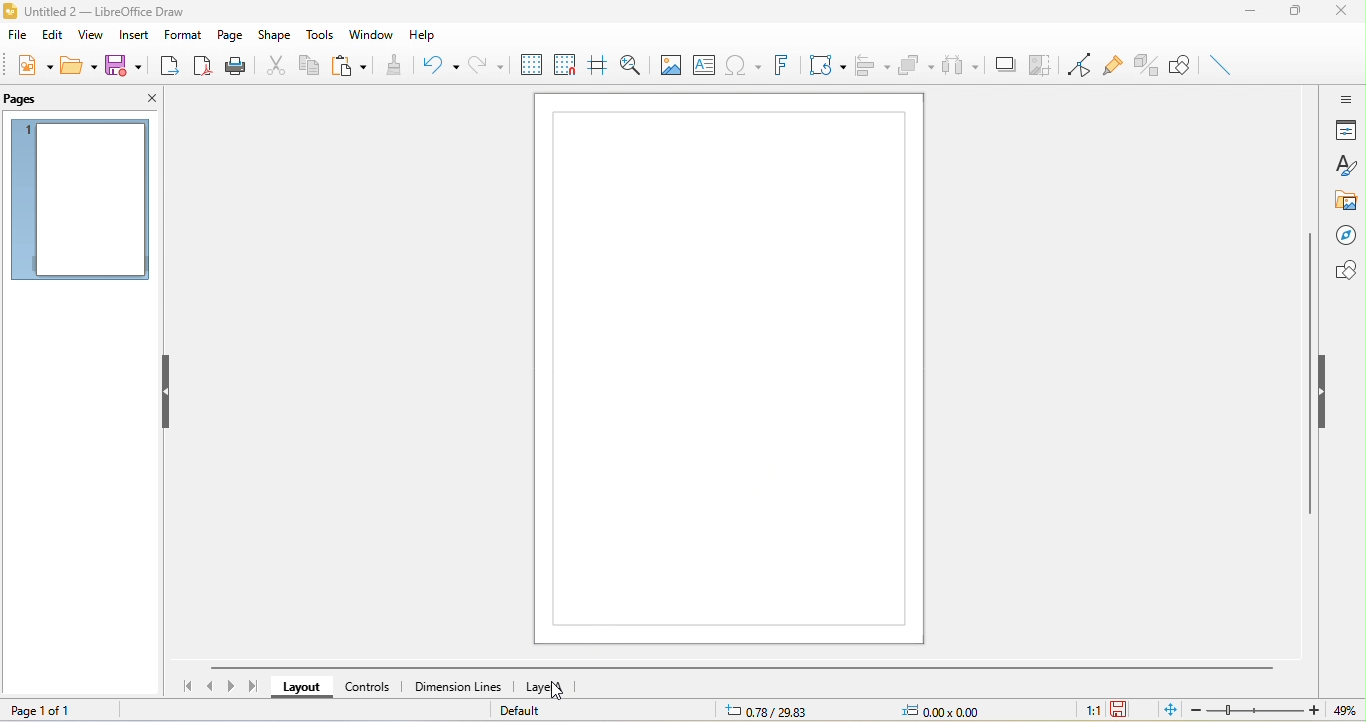  What do you see at coordinates (565, 68) in the screenshot?
I see `snap to grid` at bounding box center [565, 68].